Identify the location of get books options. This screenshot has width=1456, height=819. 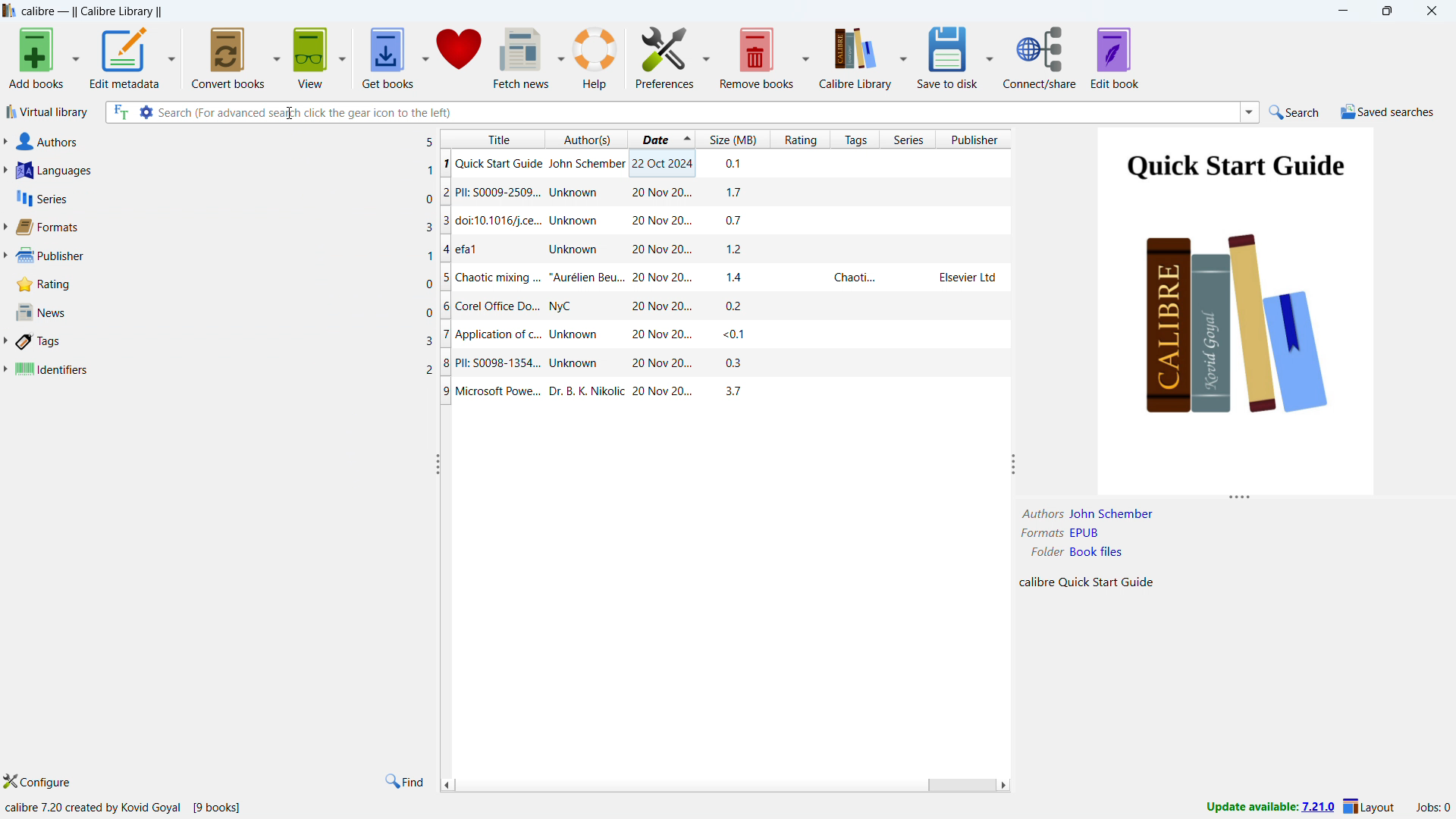
(425, 56).